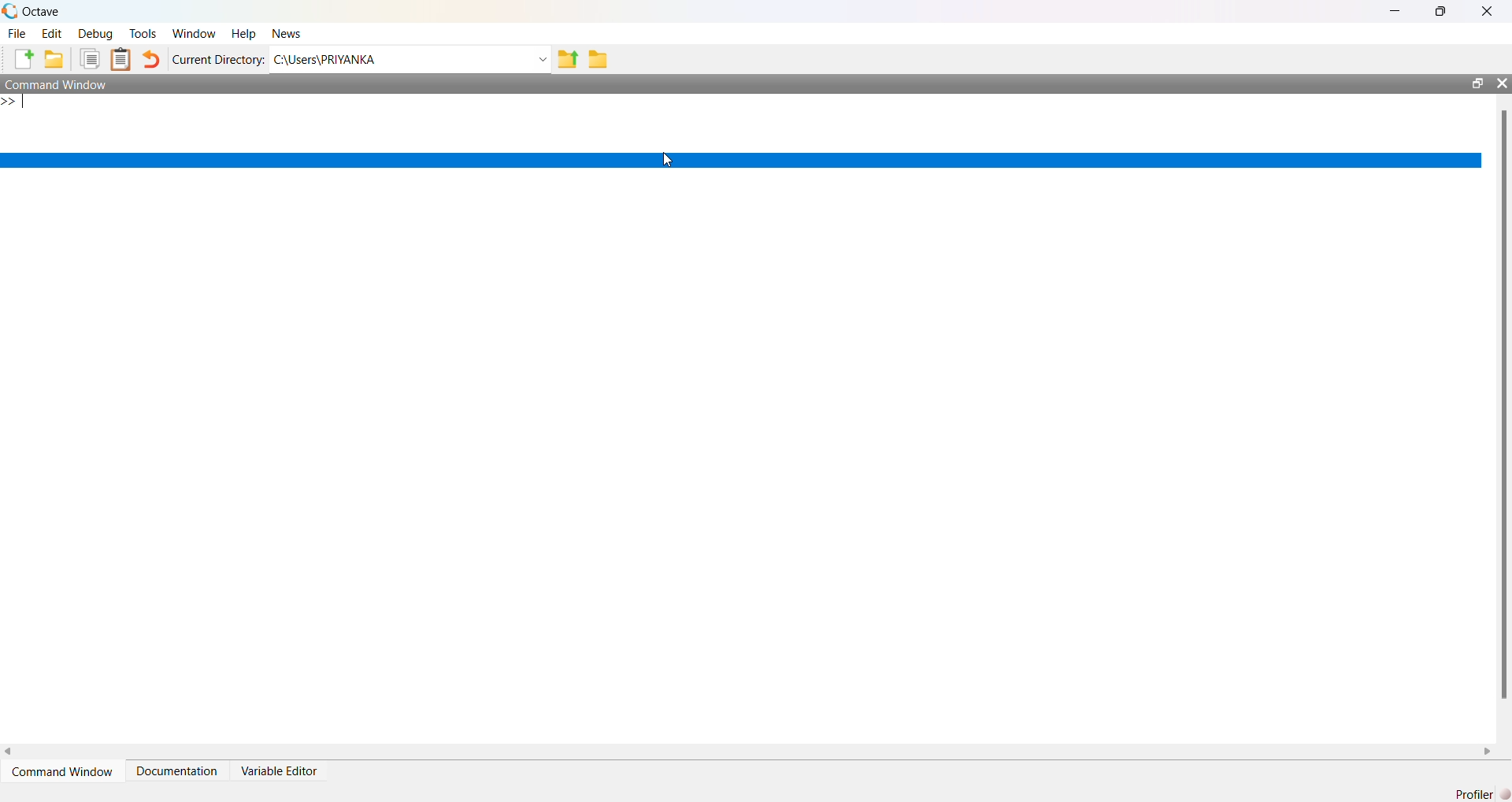 This screenshot has width=1512, height=802. Describe the element at coordinates (1477, 83) in the screenshot. I see `maximize` at that location.